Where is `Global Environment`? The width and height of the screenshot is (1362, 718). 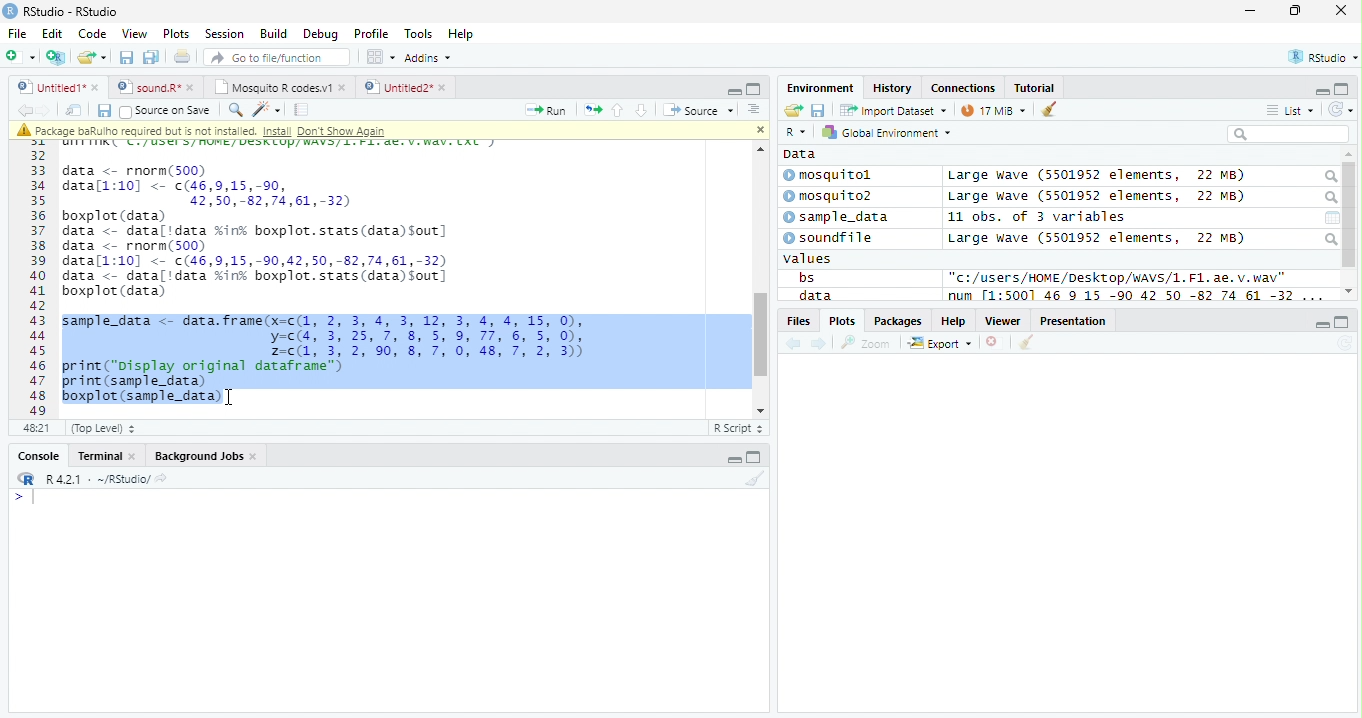
Global Environment is located at coordinates (884, 131).